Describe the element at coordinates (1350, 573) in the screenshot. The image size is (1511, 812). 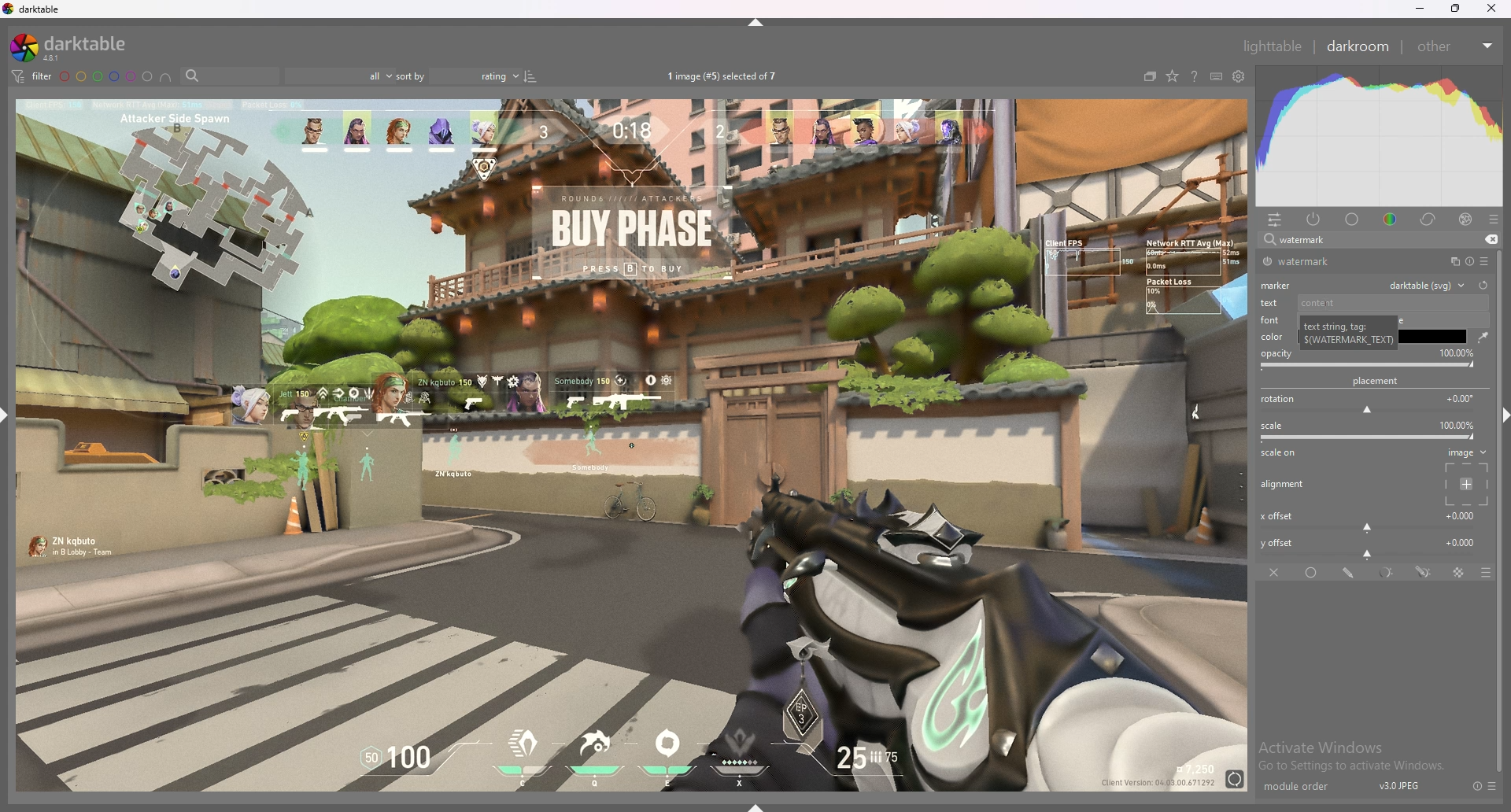
I see `drawn mask` at that location.